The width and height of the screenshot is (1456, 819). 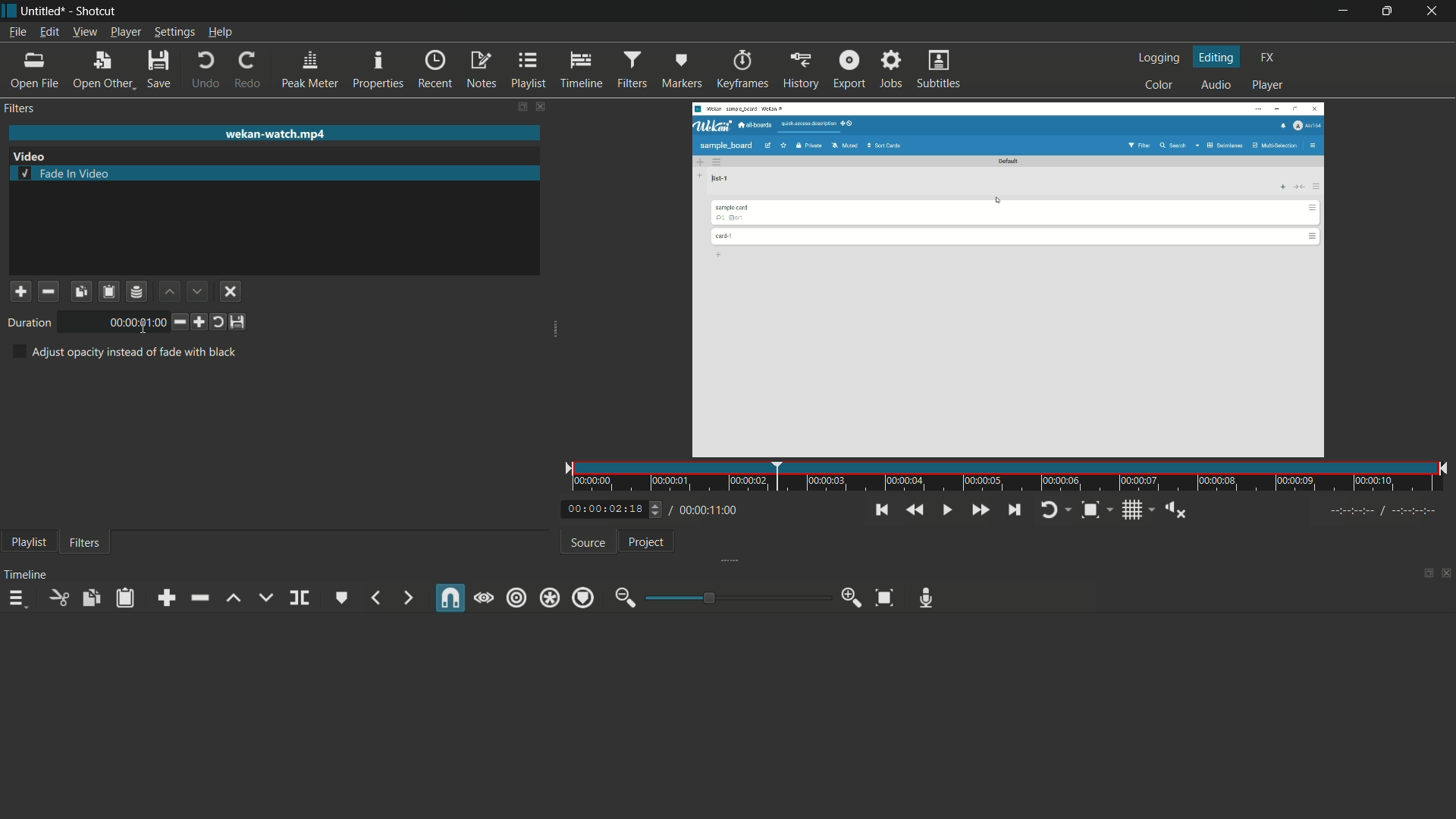 I want to click on record audio, so click(x=925, y=598).